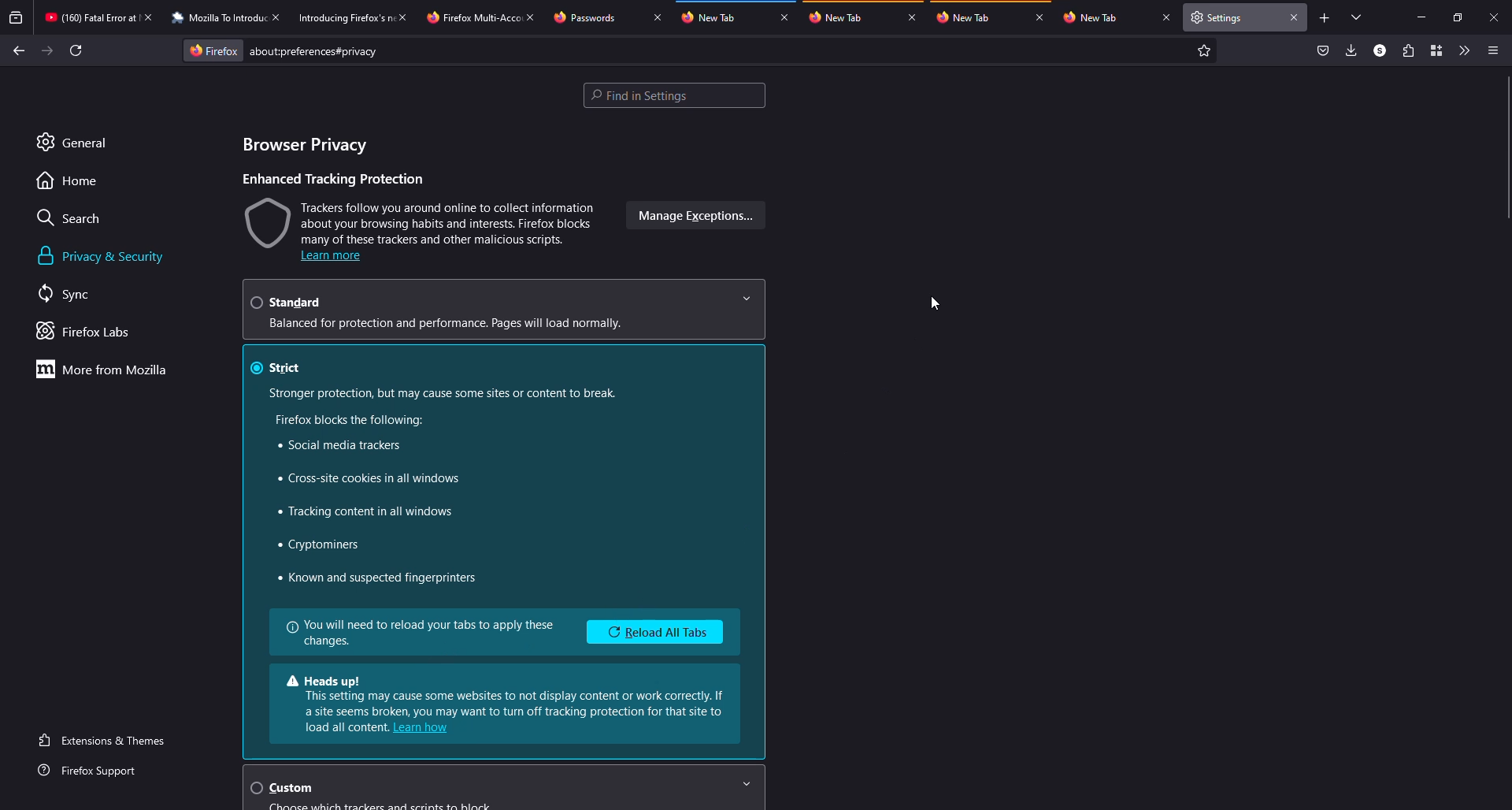  I want to click on cryptominers, so click(321, 544).